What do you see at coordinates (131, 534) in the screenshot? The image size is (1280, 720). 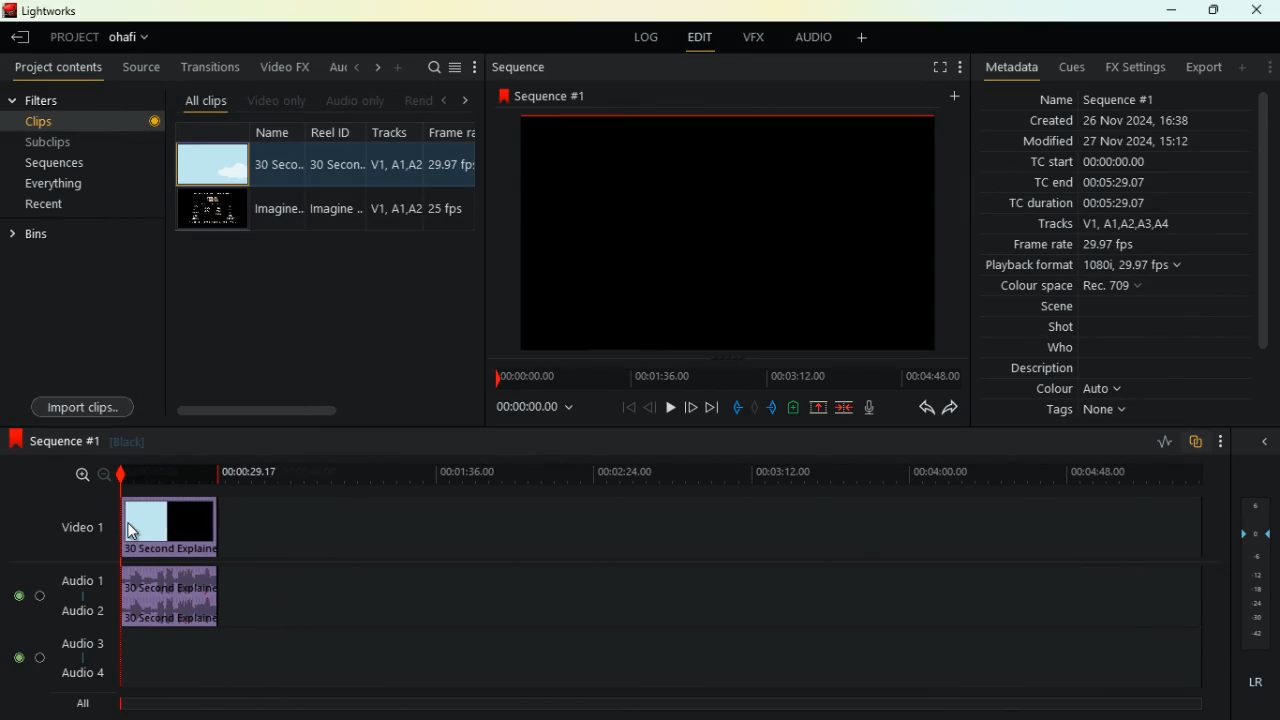 I see `cursor` at bounding box center [131, 534].